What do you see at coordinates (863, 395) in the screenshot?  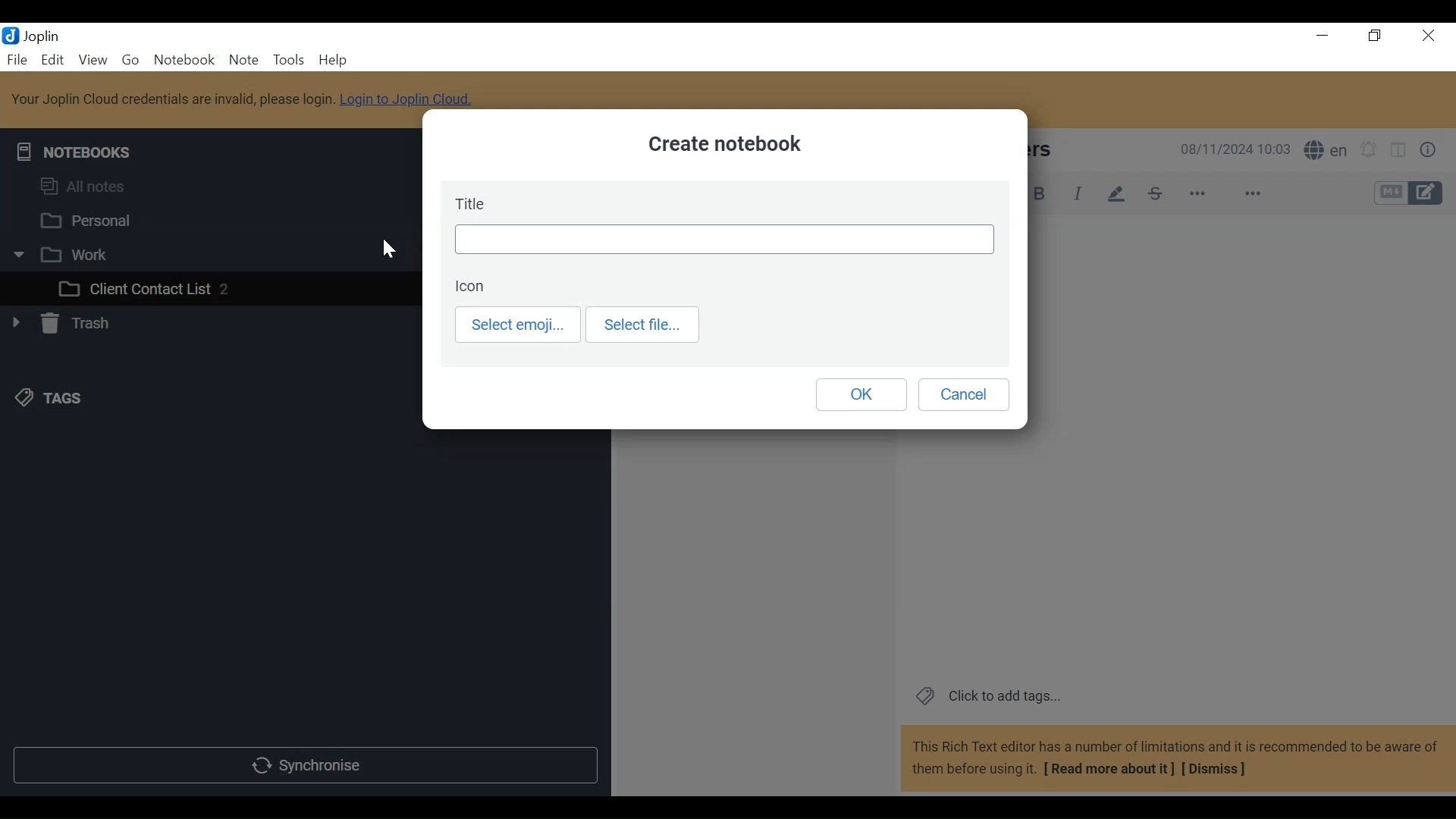 I see `OK` at bounding box center [863, 395].